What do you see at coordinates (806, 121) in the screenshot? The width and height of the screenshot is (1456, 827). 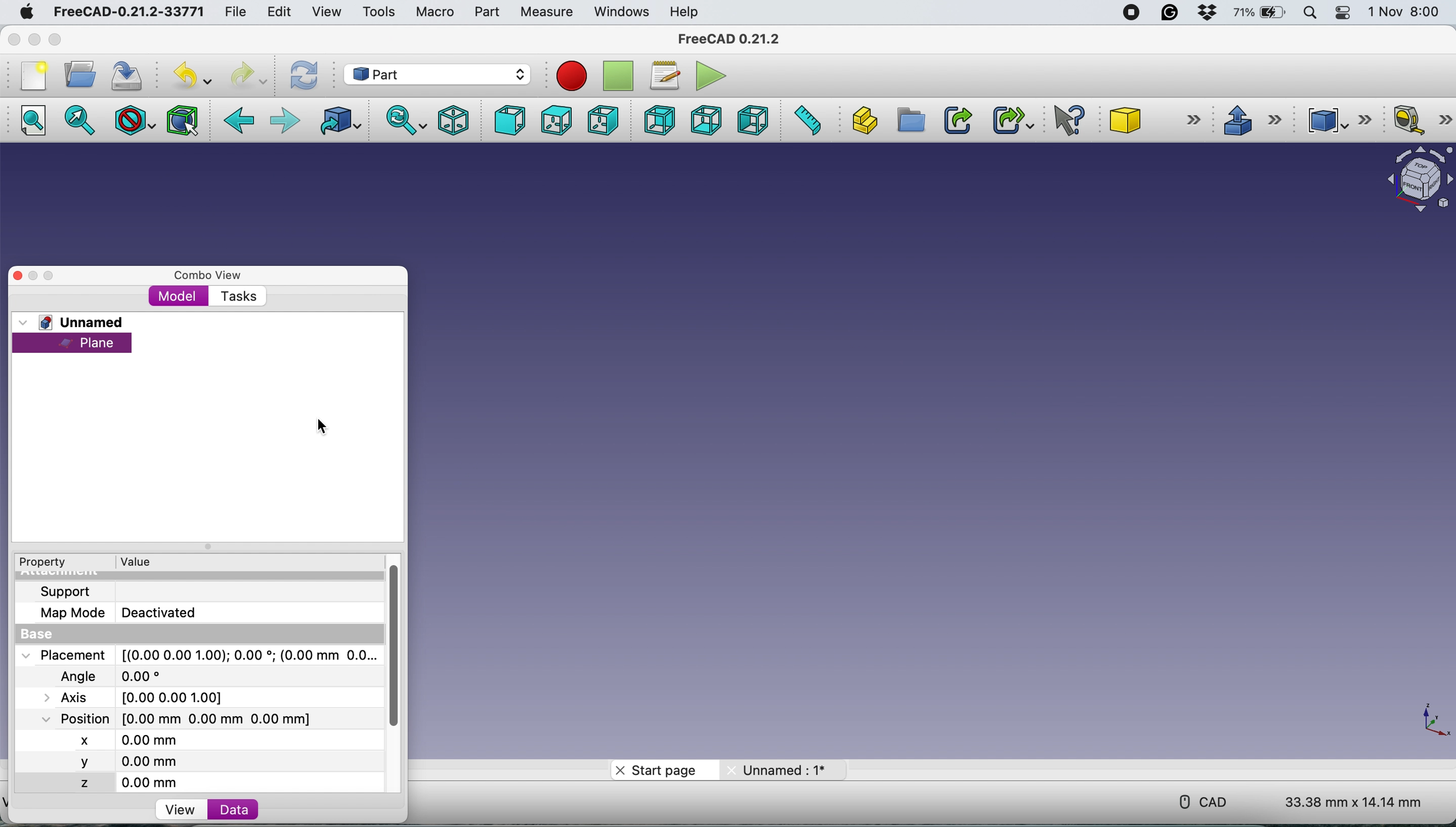 I see `measure distance` at bounding box center [806, 121].